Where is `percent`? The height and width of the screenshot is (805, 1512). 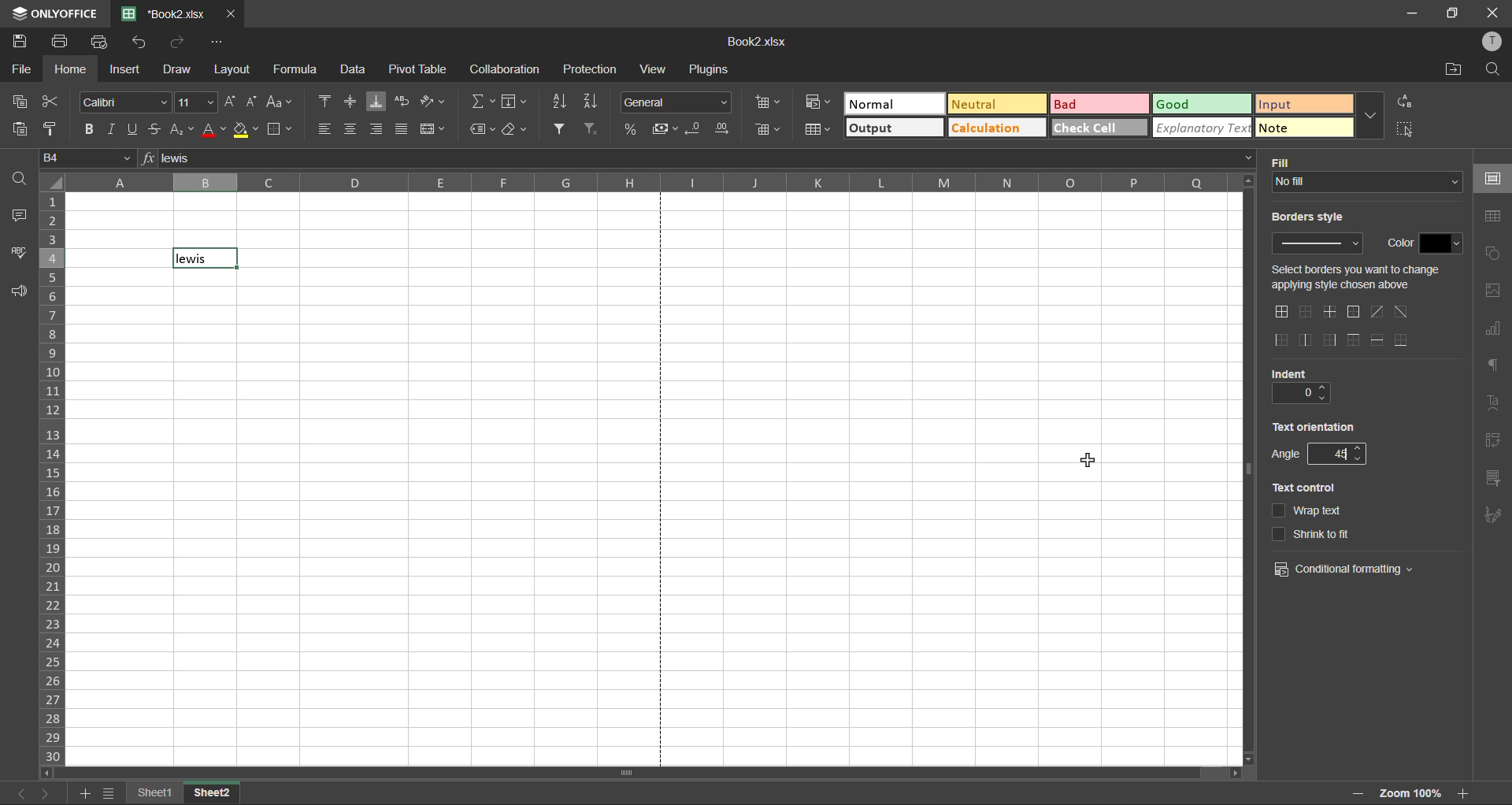 percent is located at coordinates (631, 130).